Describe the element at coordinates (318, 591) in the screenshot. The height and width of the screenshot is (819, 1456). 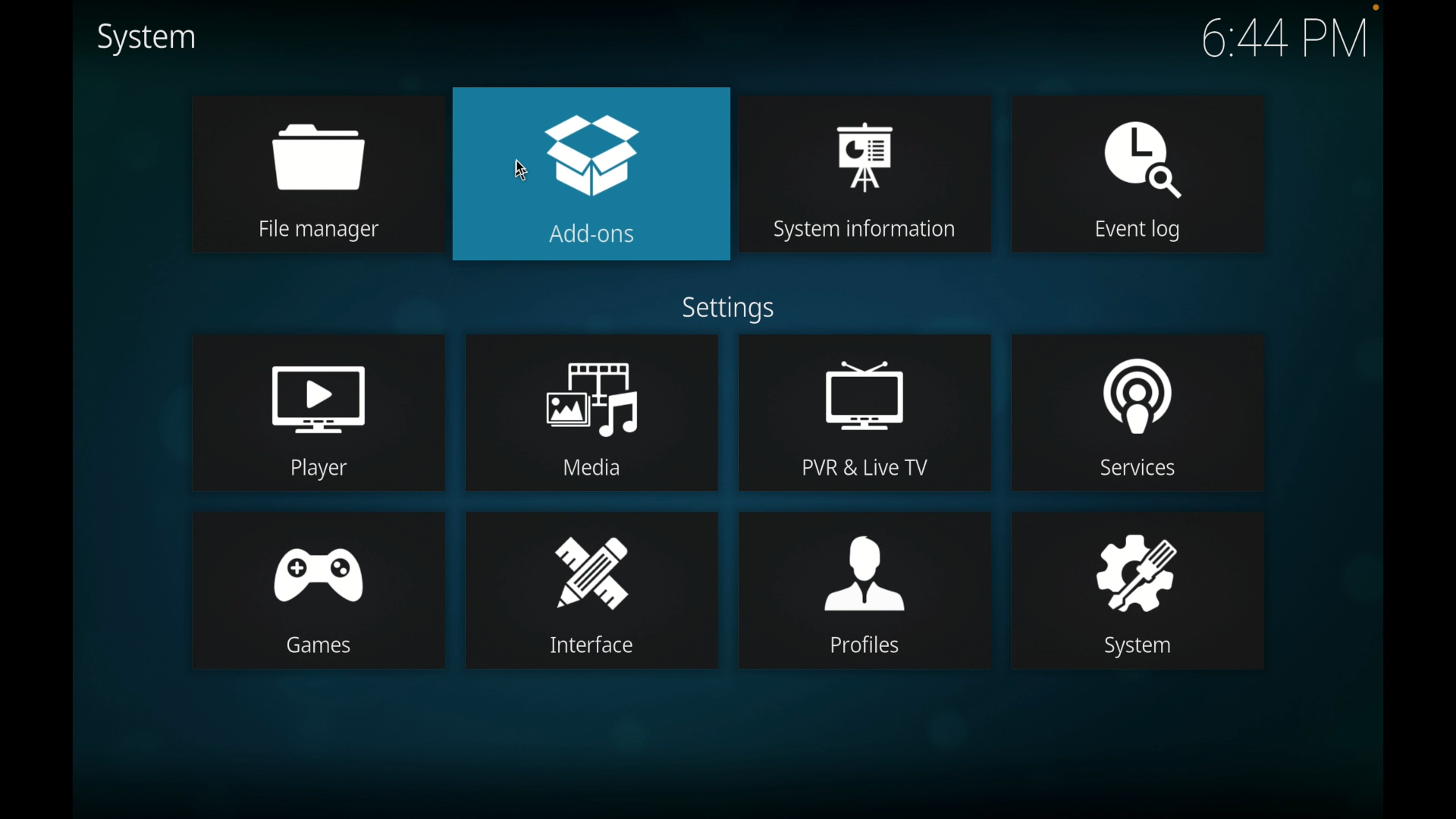
I see `games` at that location.